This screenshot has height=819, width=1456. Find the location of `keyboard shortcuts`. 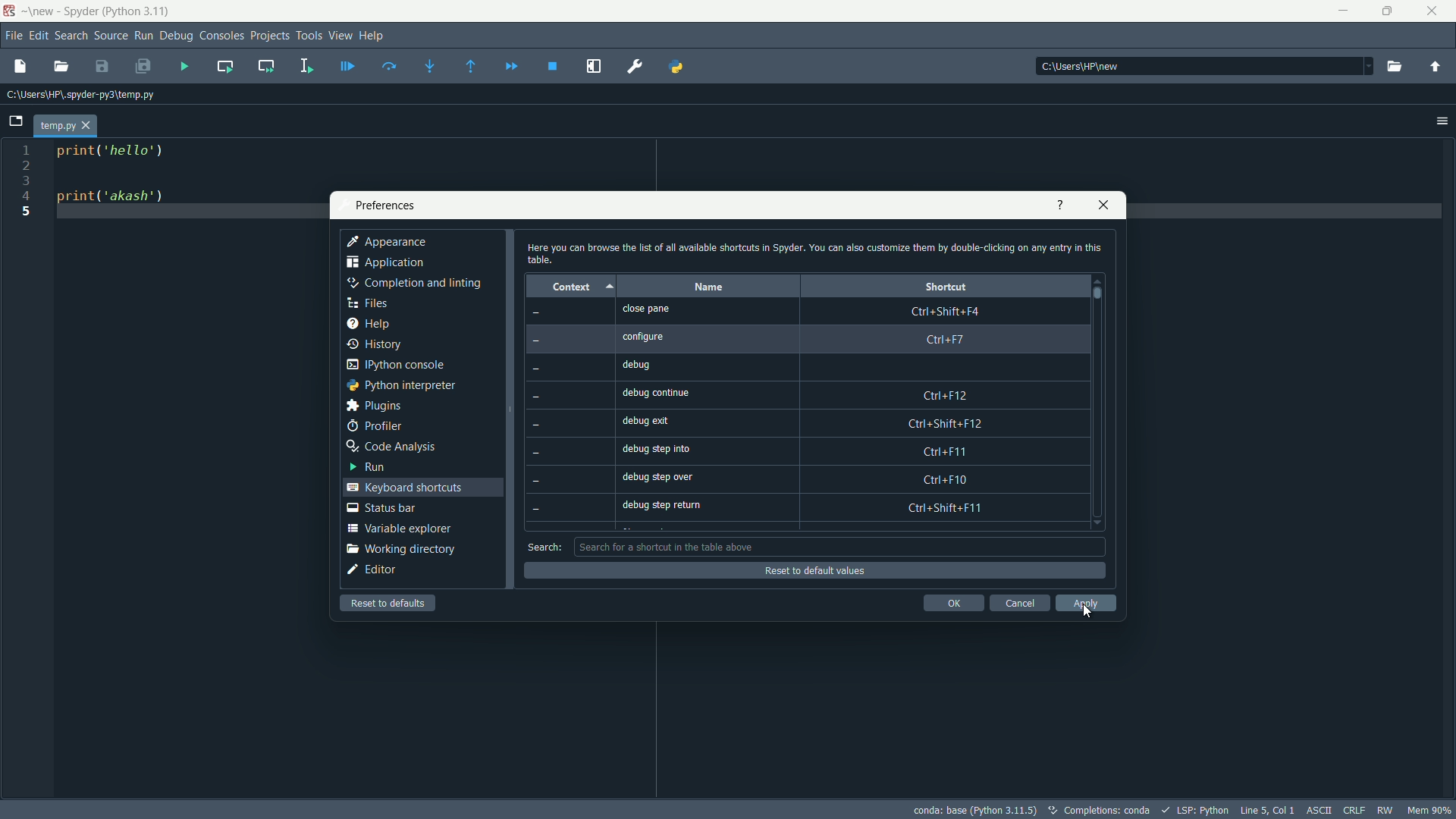

keyboard shortcuts is located at coordinates (404, 488).